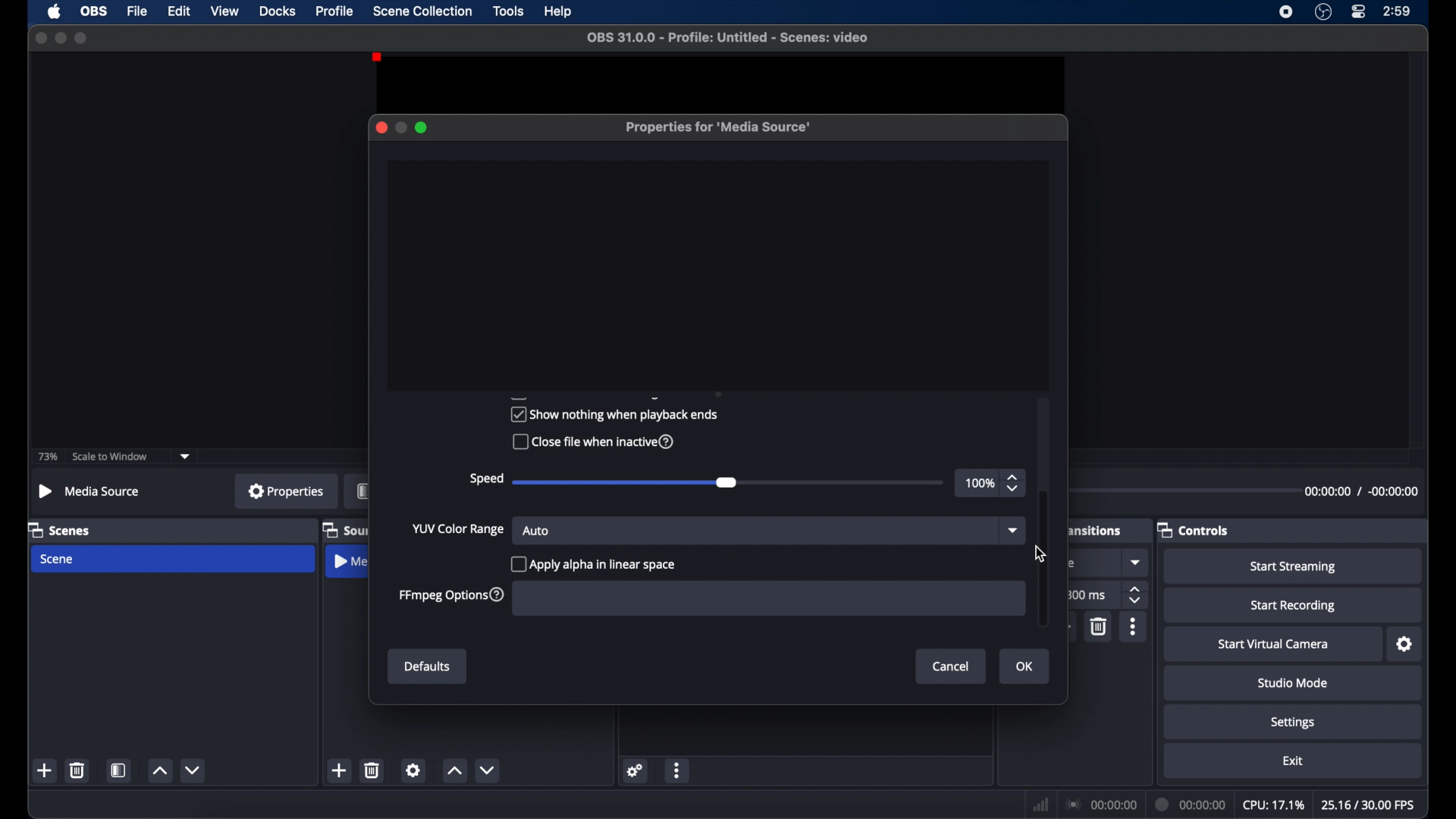 The image size is (1456, 819). Describe the element at coordinates (452, 595) in the screenshot. I see `ffmpeg options` at that location.